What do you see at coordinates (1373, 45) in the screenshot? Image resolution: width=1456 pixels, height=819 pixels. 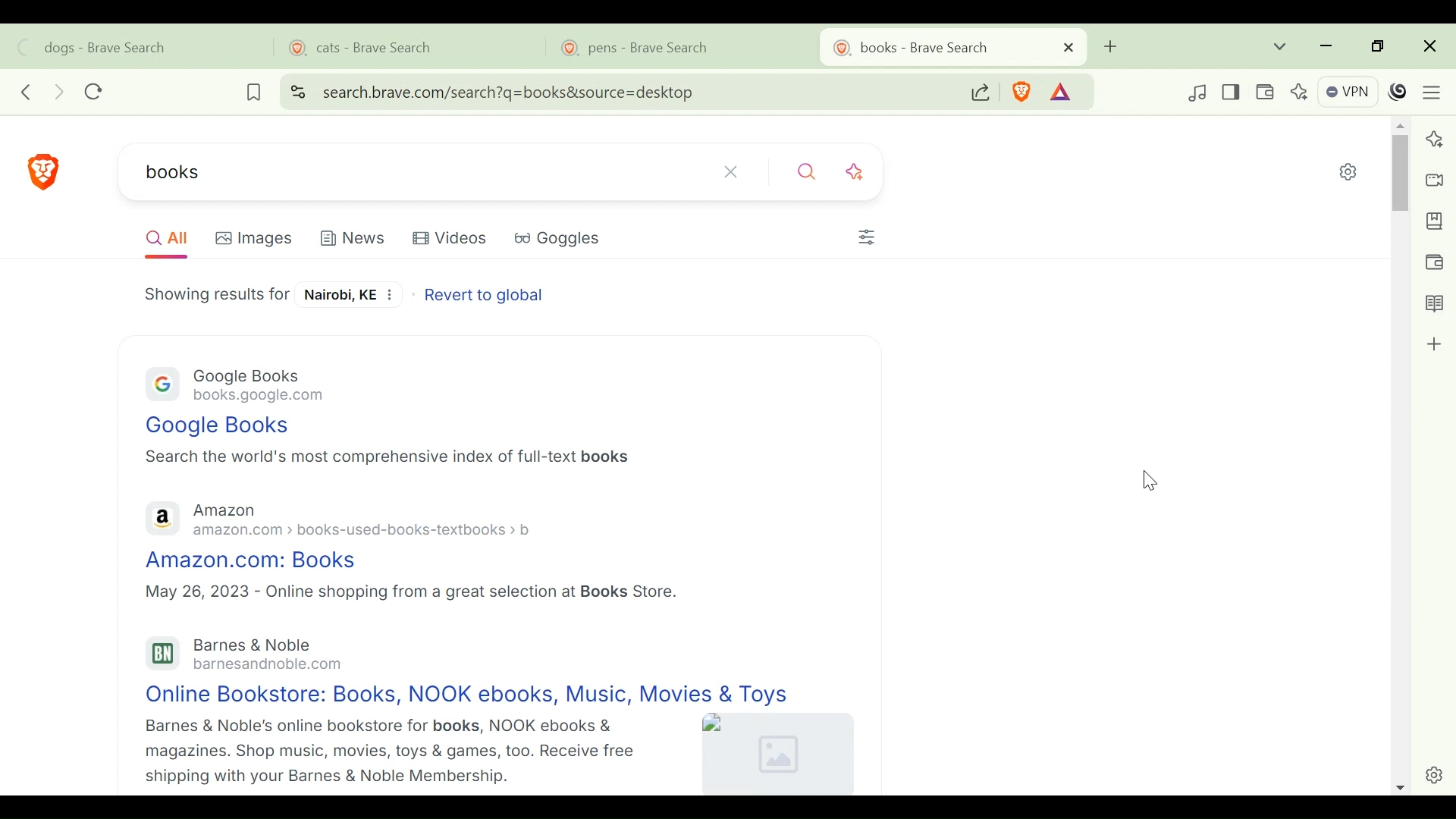 I see `restore` at bounding box center [1373, 45].